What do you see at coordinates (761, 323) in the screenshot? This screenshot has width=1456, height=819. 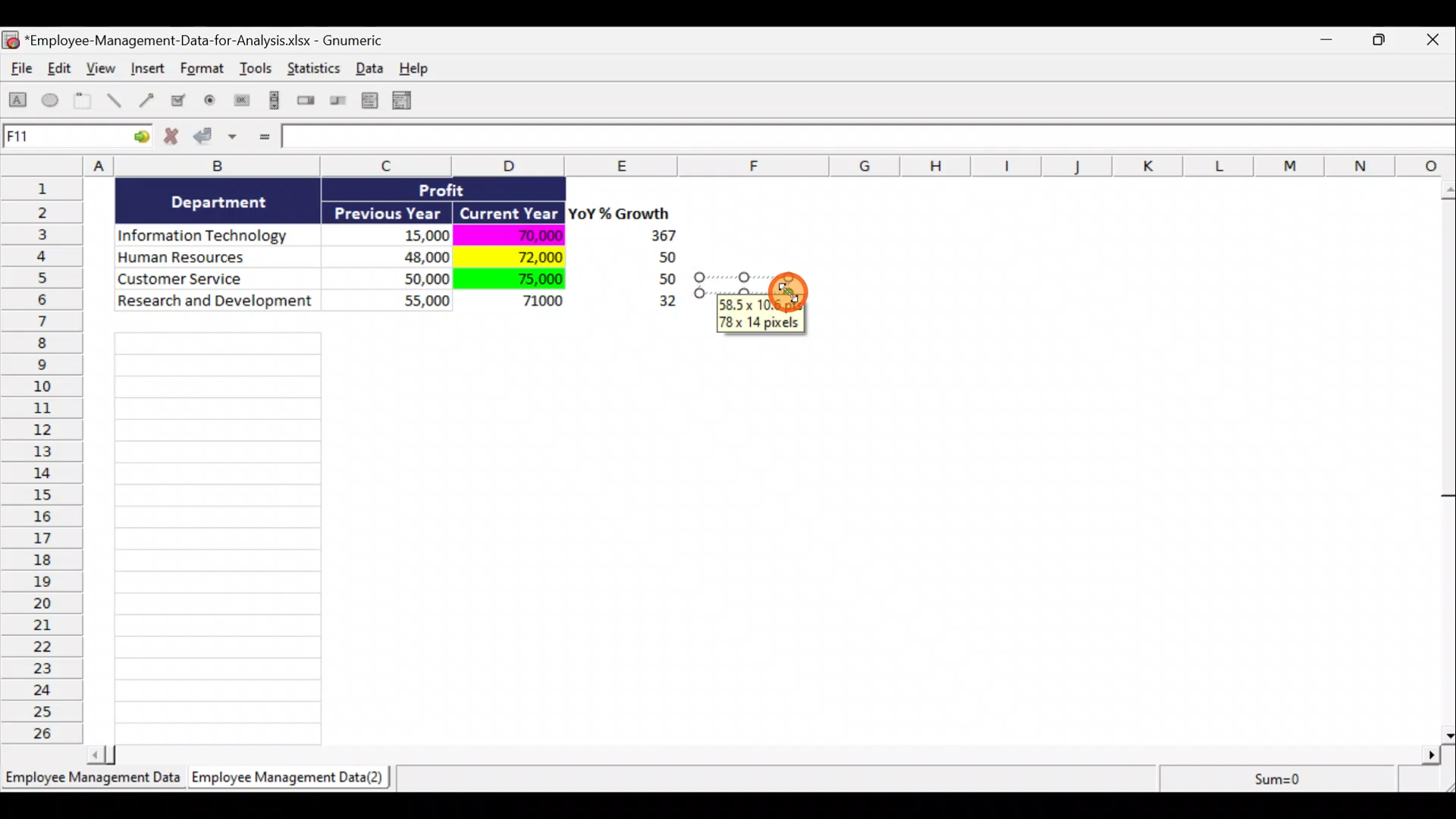 I see `78 x 14 pixels` at bounding box center [761, 323].